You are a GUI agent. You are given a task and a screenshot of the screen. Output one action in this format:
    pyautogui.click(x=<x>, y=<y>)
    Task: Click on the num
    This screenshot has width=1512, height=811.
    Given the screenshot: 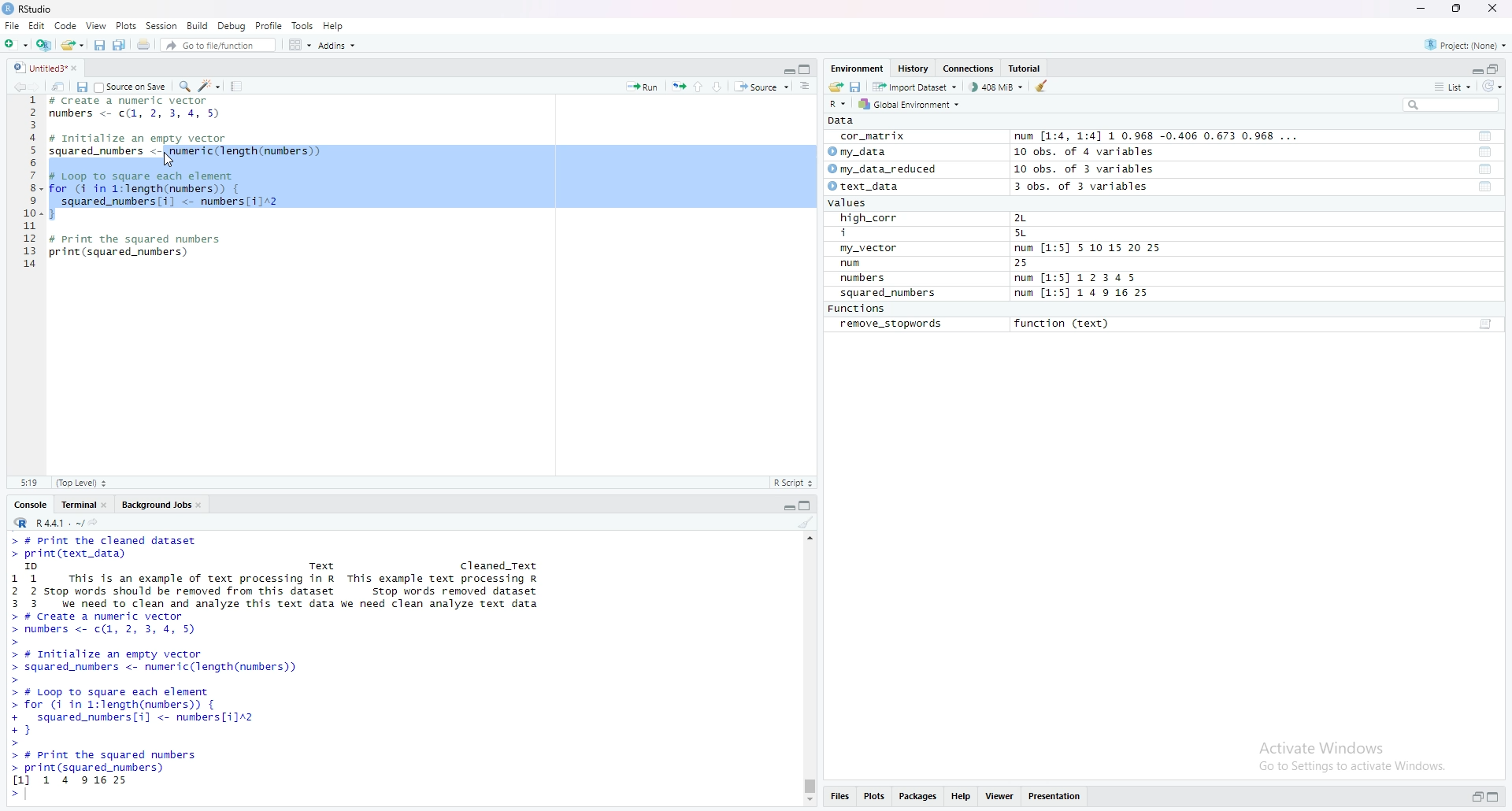 What is the action you would take?
    pyautogui.click(x=868, y=264)
    